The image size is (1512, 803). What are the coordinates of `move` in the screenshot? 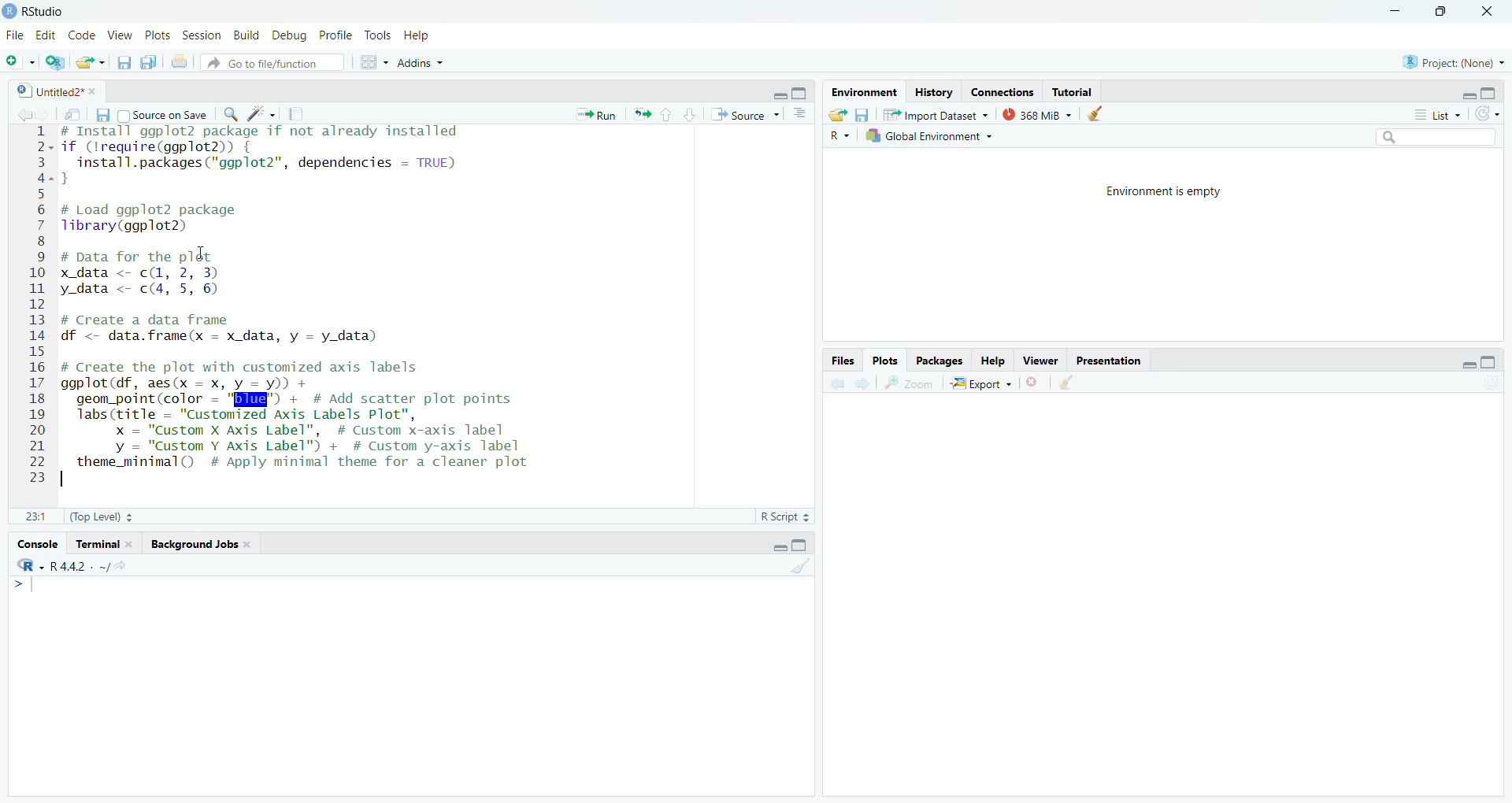 It's located at (74, 117).